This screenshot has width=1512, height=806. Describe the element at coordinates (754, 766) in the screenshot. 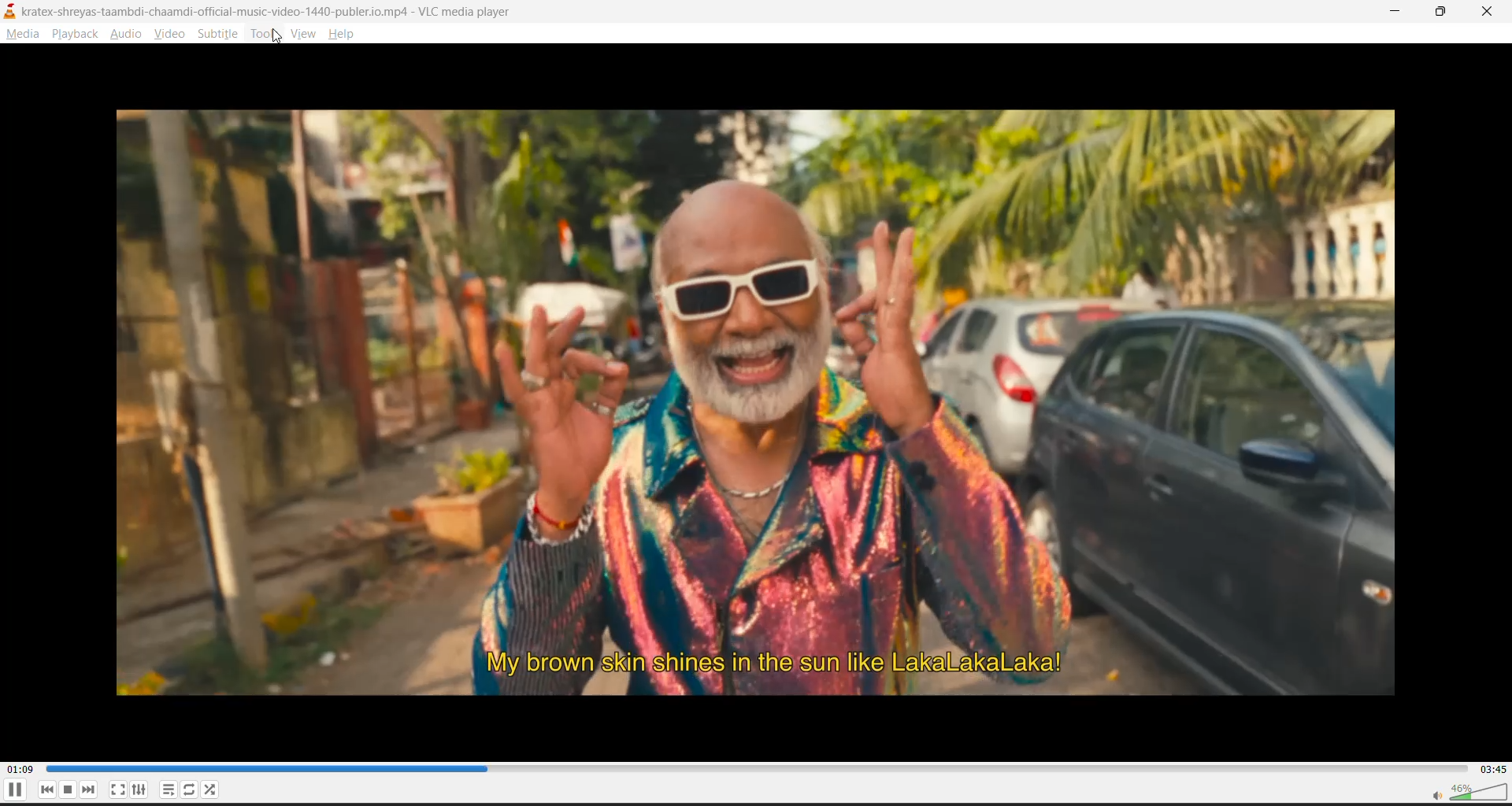

I see `track slider` at that location.